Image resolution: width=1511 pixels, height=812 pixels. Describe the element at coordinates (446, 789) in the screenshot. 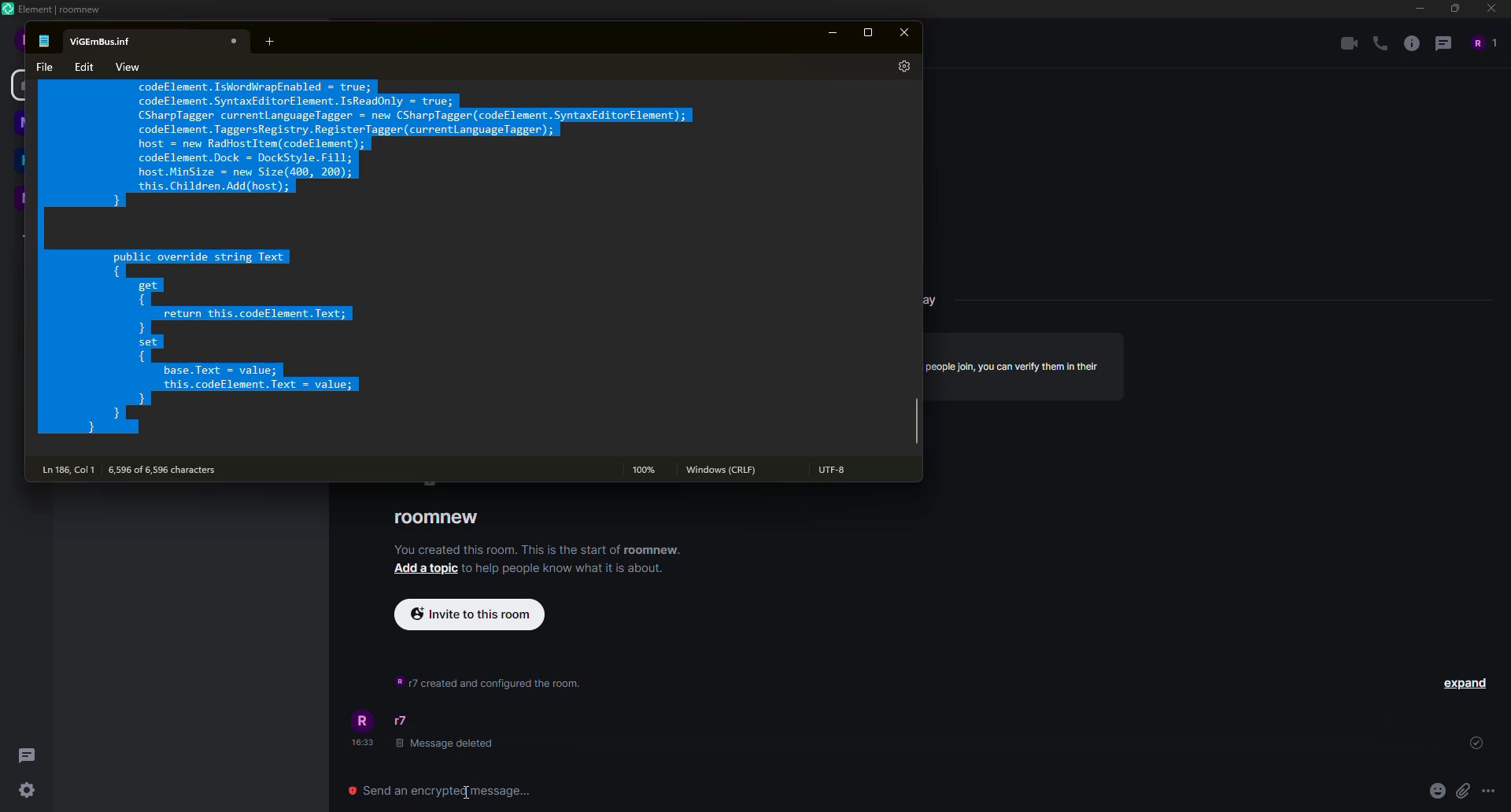

I see `send message` at that location.